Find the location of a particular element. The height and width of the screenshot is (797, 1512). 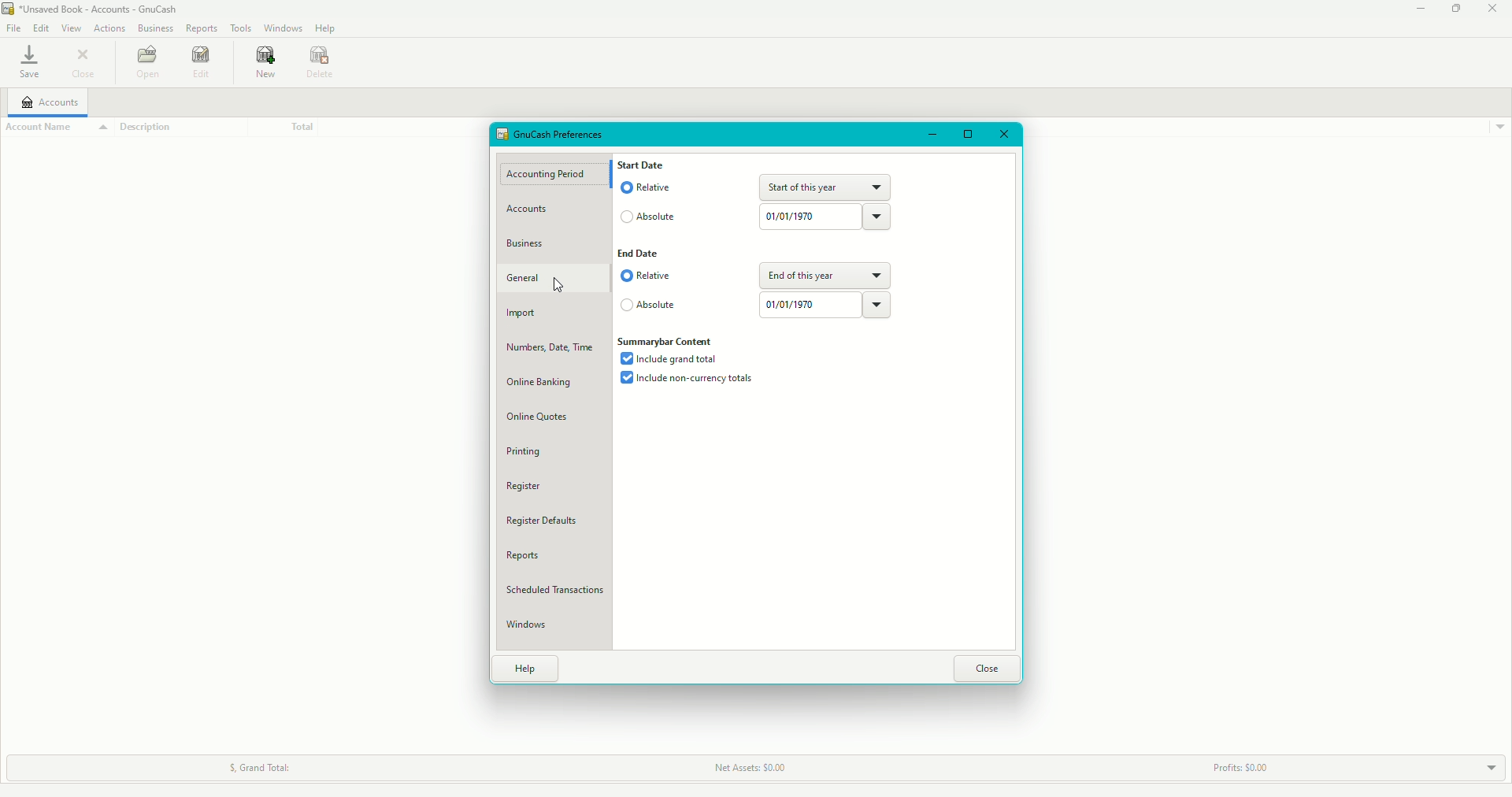

Reports is located at coordinates (202, 27).